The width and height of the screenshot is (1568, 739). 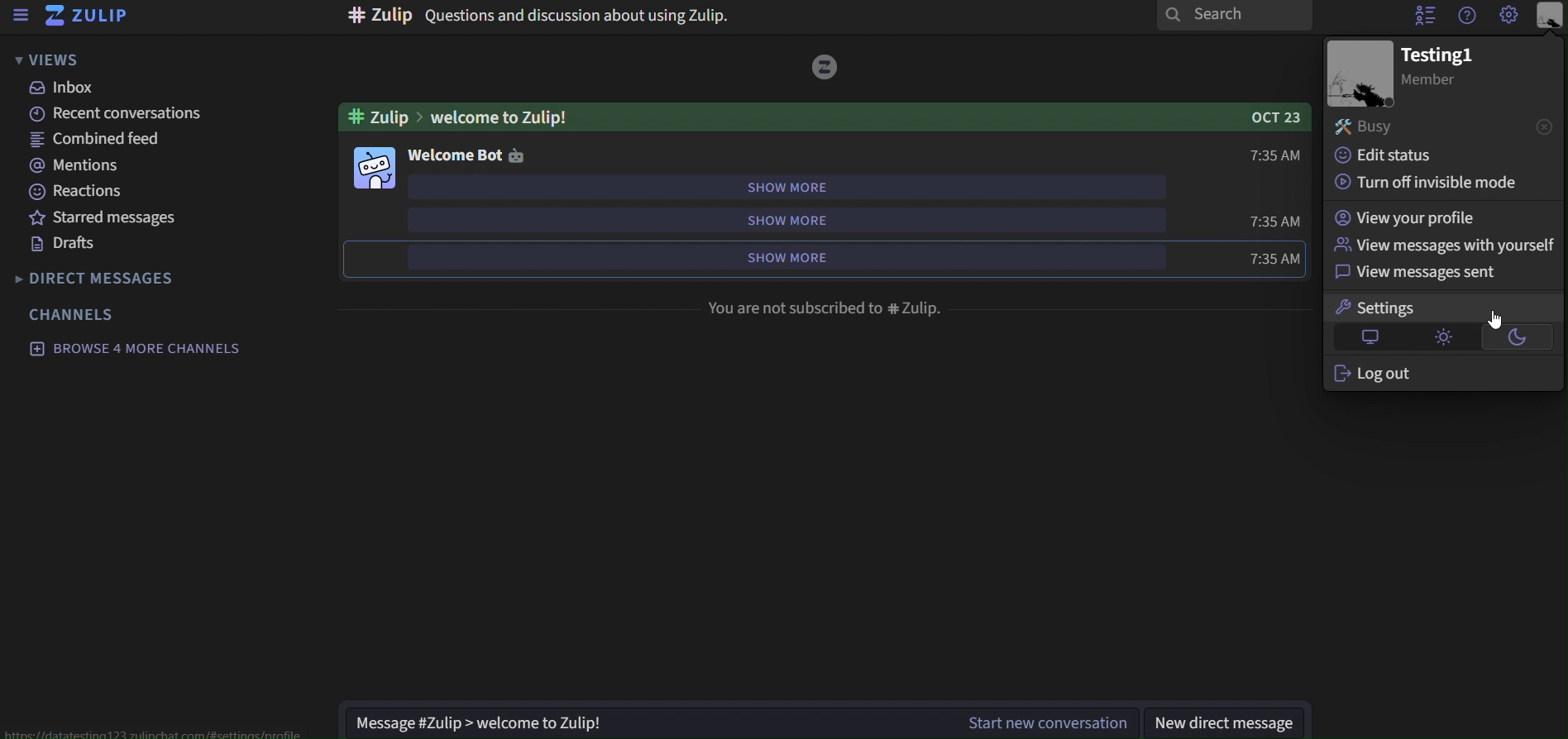 What do you see at coordinates (1410, 308) in the screenshot?
I see `settings` at bounding box center [1410, 308].